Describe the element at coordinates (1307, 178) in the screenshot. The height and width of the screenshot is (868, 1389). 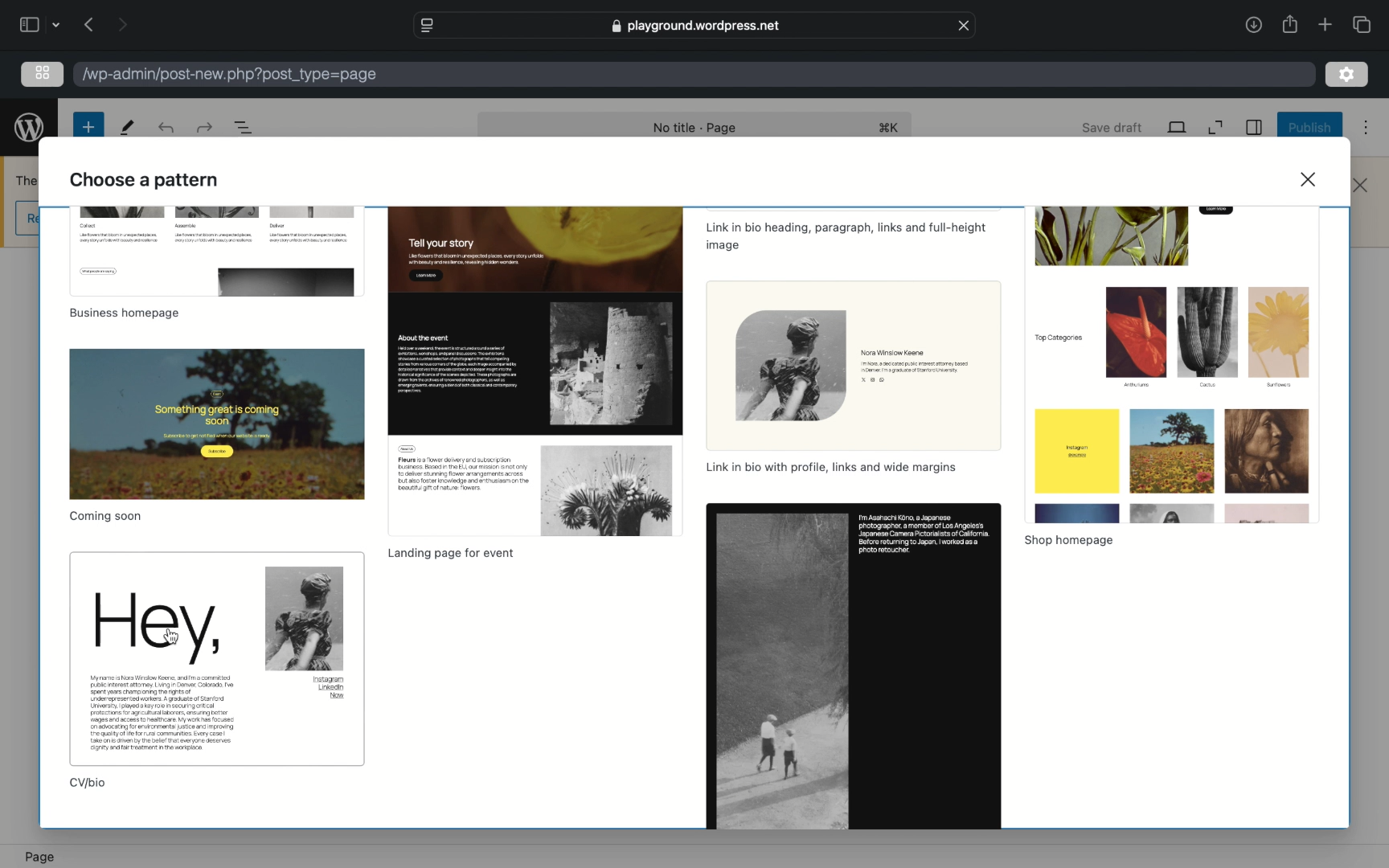
I see `close` at that location.